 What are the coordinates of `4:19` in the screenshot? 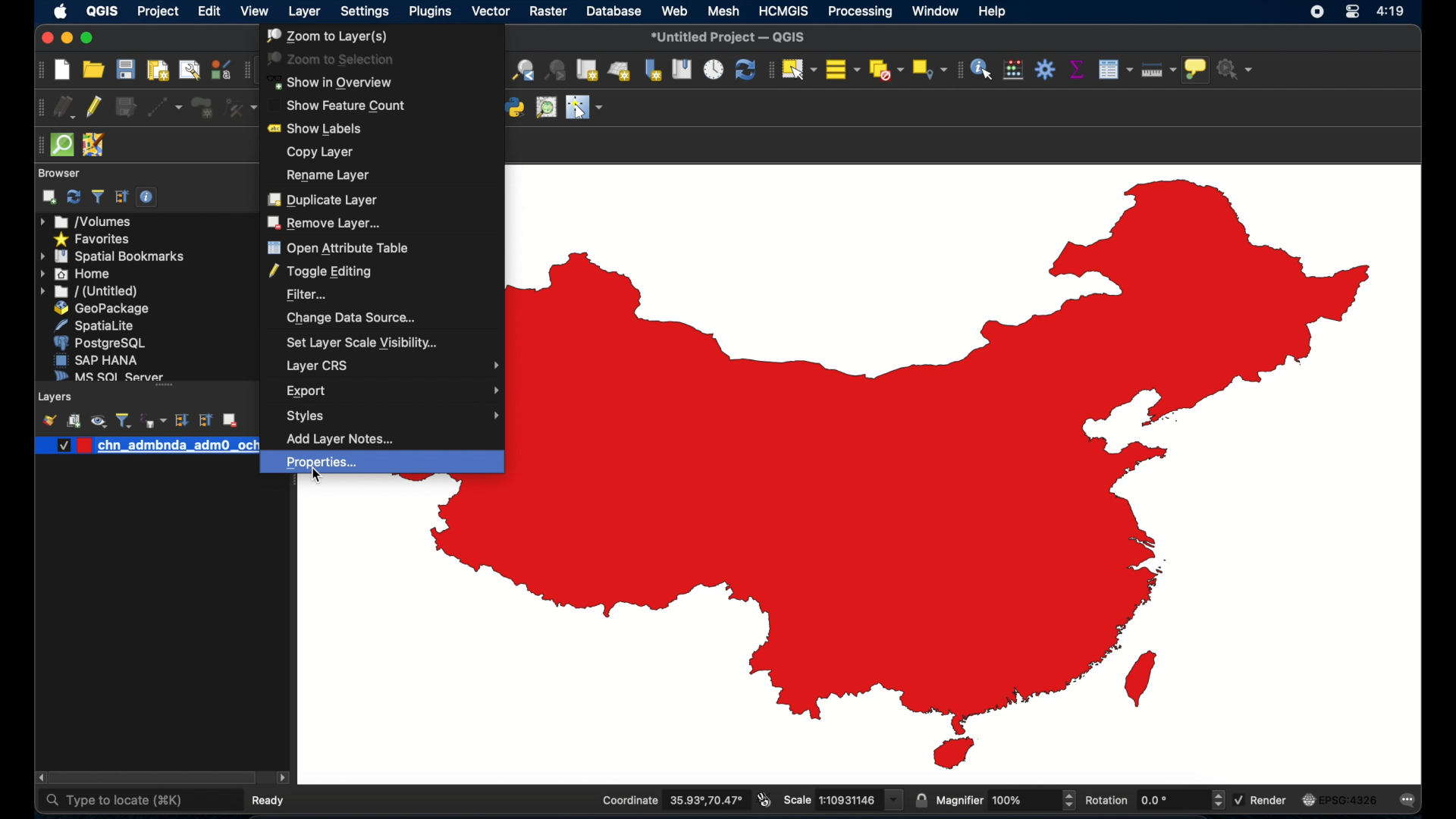 It's located at (1392, 11).